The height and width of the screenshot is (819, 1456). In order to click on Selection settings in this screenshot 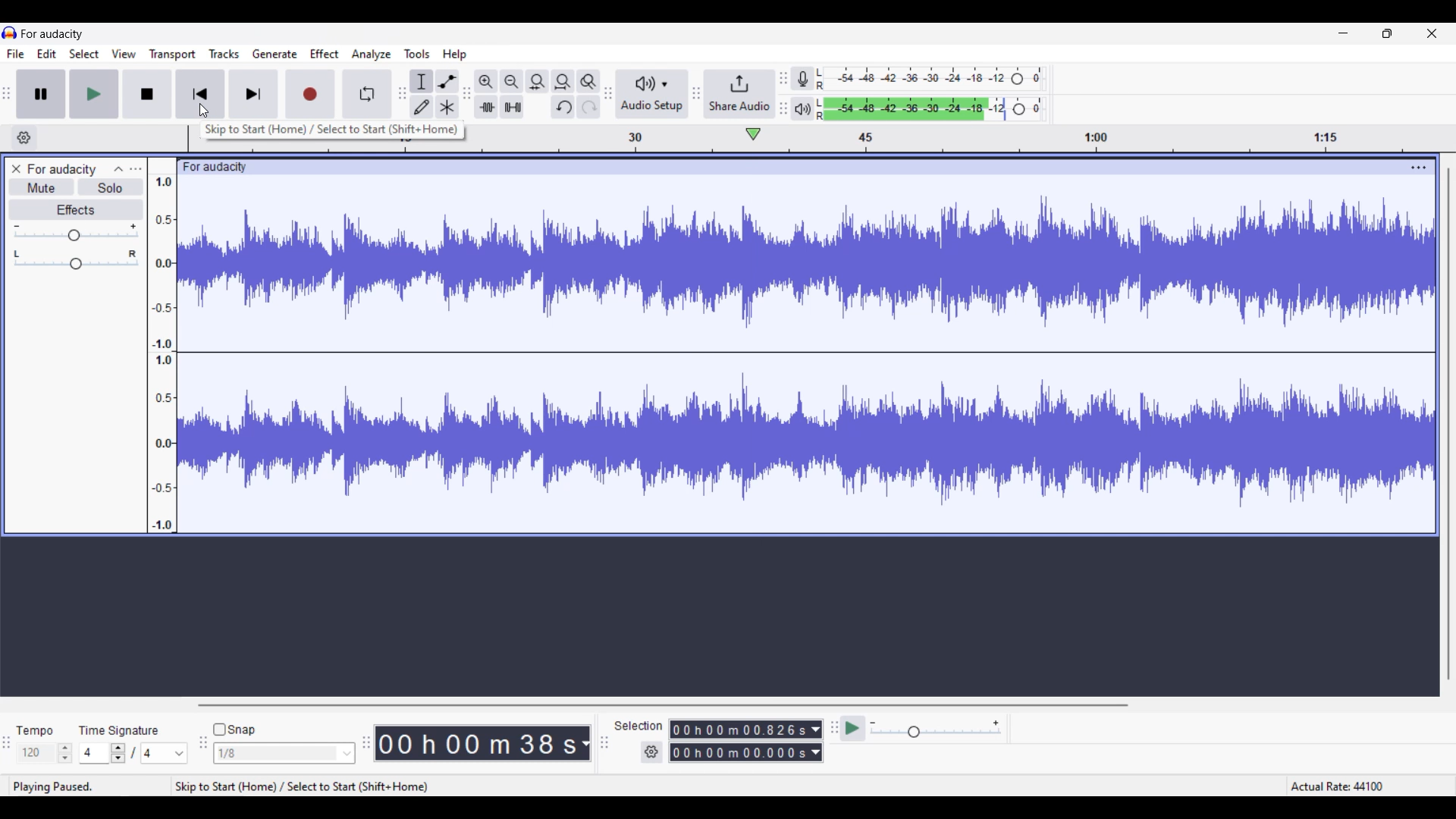, I will do `click(651, 752)`.